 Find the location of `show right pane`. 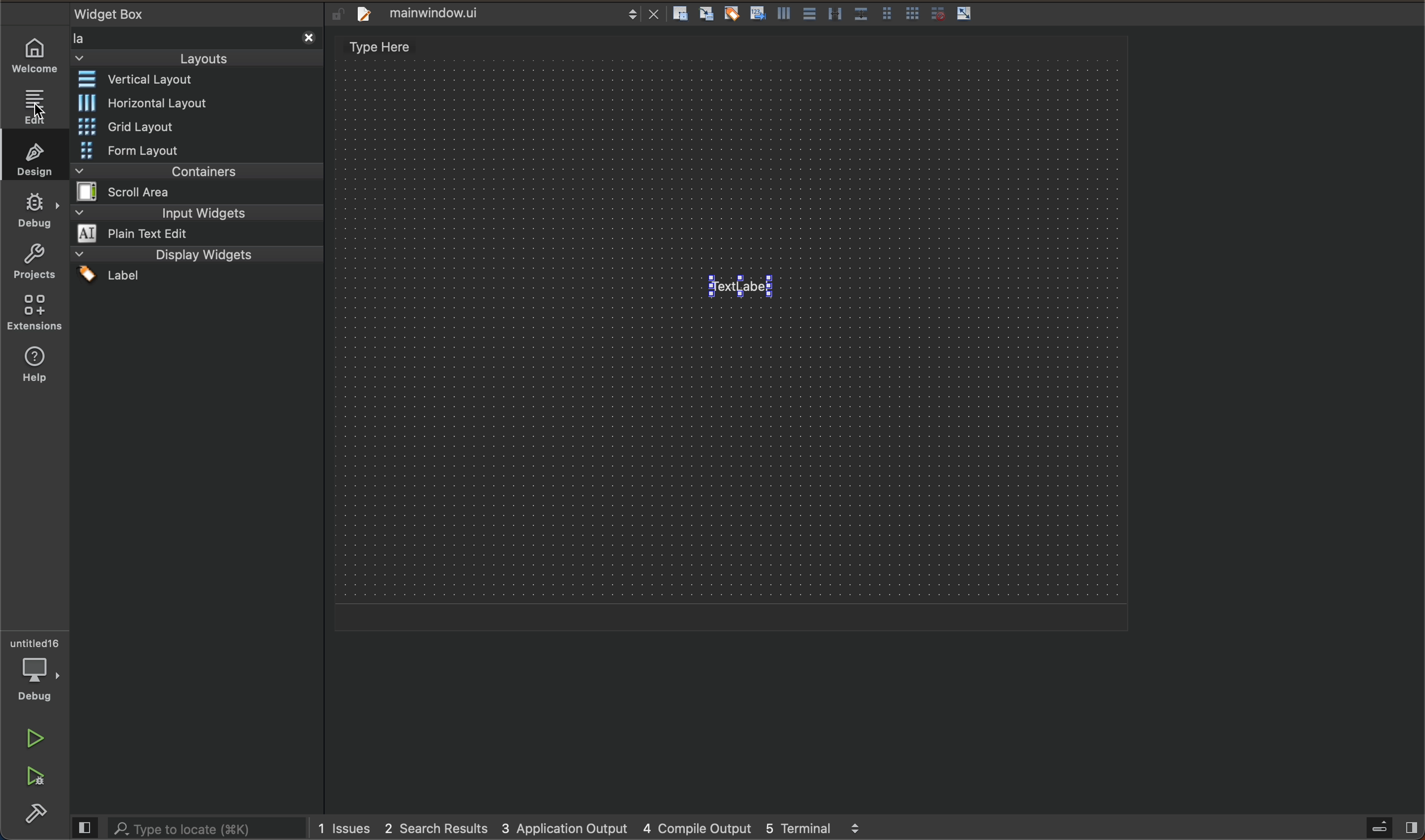

show right pane is located at coordinates (1414, 829).